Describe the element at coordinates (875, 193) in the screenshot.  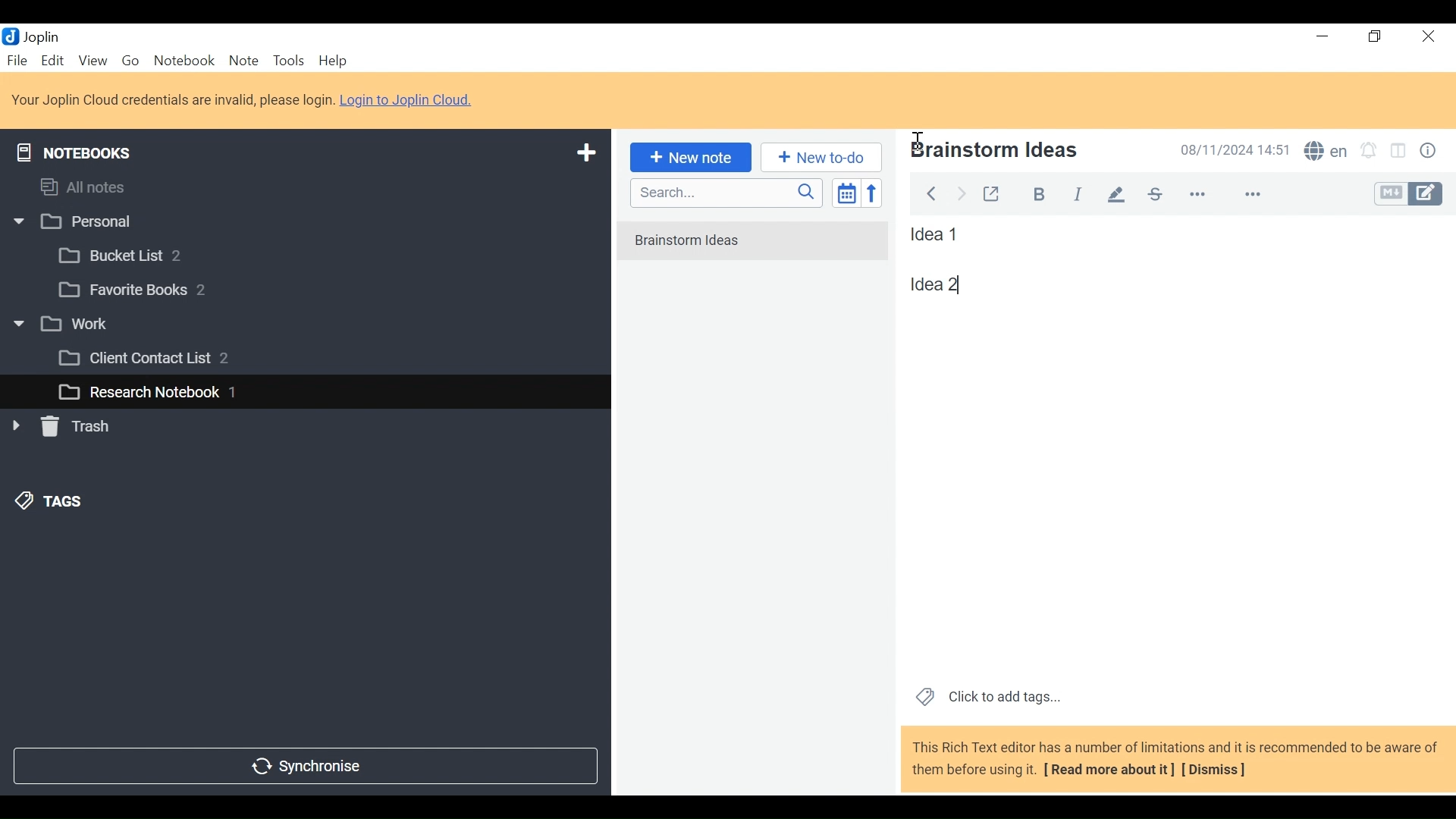
I see `Reverse Sort order` at that location.